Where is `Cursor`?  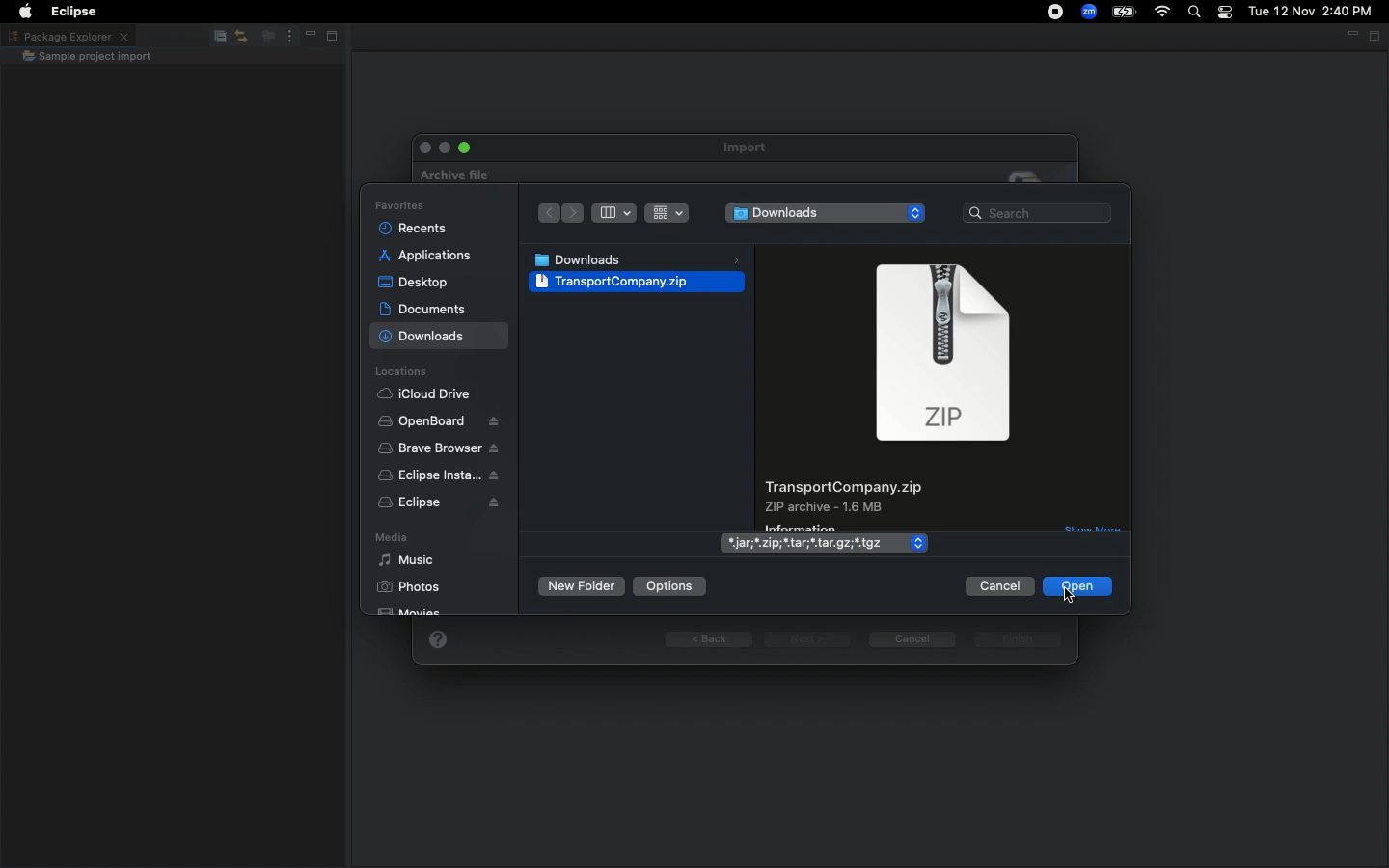 Cursor is located at coordinates (1065, 598).